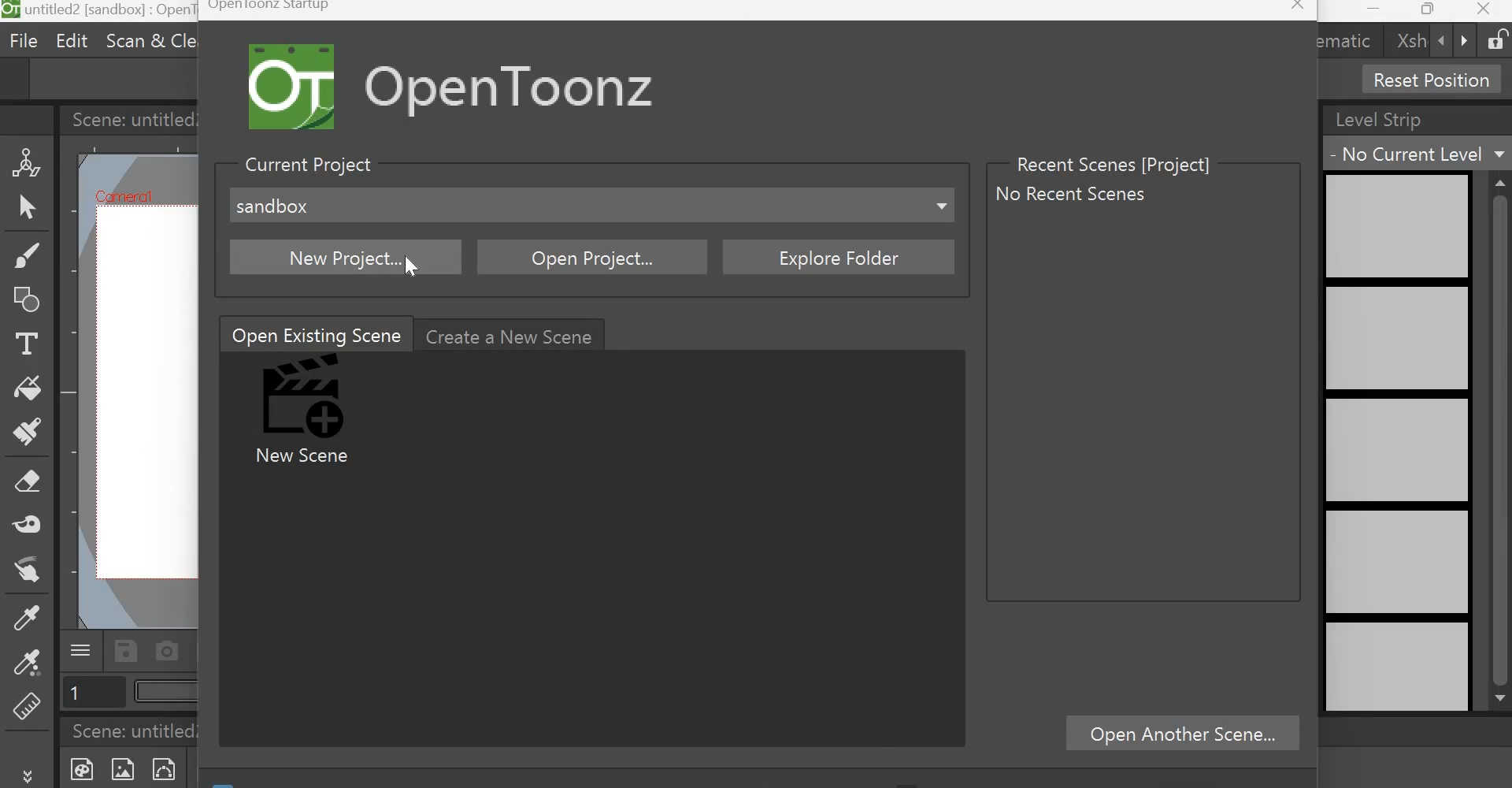 The height and width of the screenshot is (788, 1512). What do you see at coordinates (1496, 695) in the screenshot?
I see `scroll down` at bounding box center [1496, 695].